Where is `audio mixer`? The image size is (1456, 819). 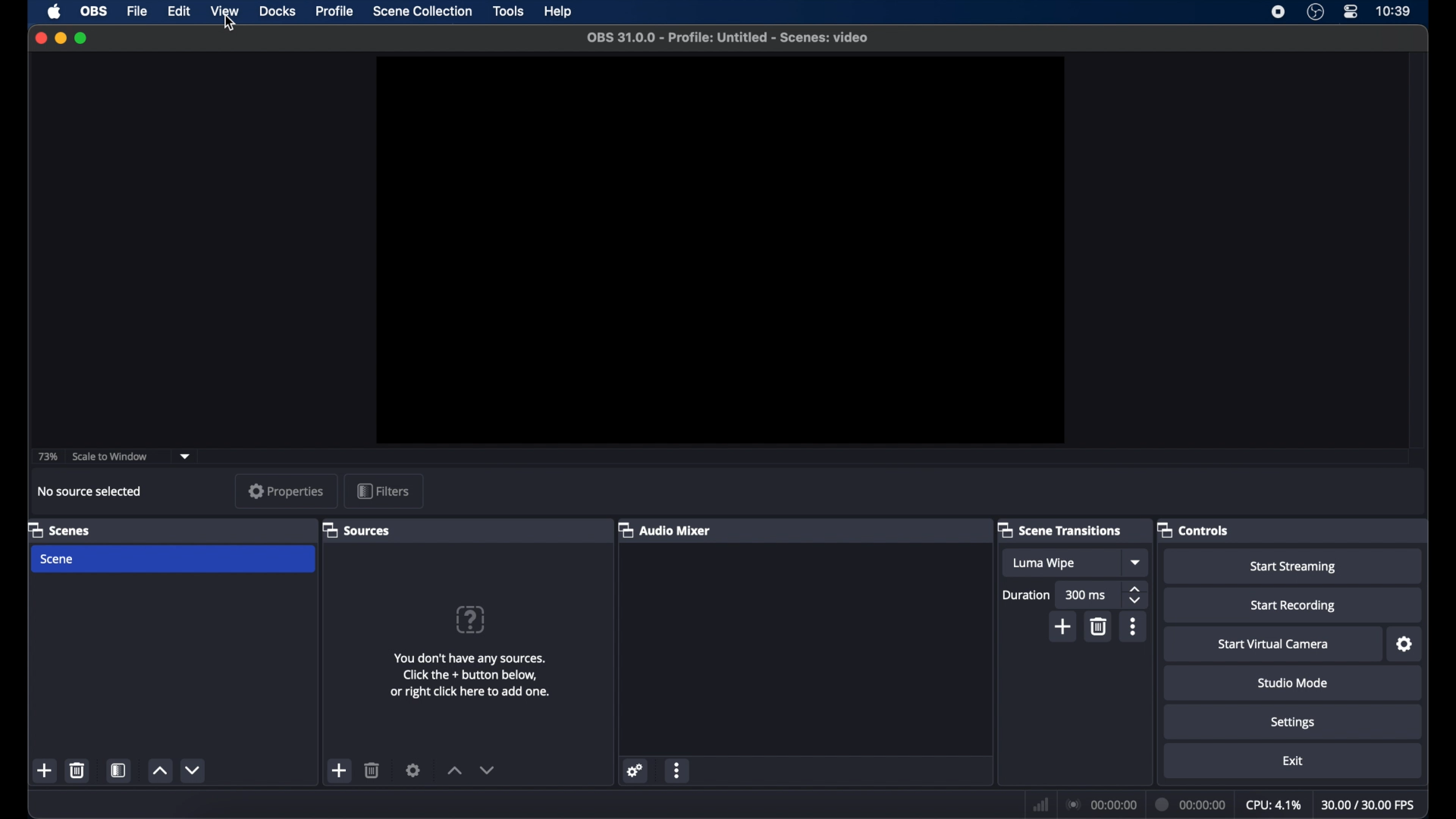 audio mixer is located at coordinates (666, 529).